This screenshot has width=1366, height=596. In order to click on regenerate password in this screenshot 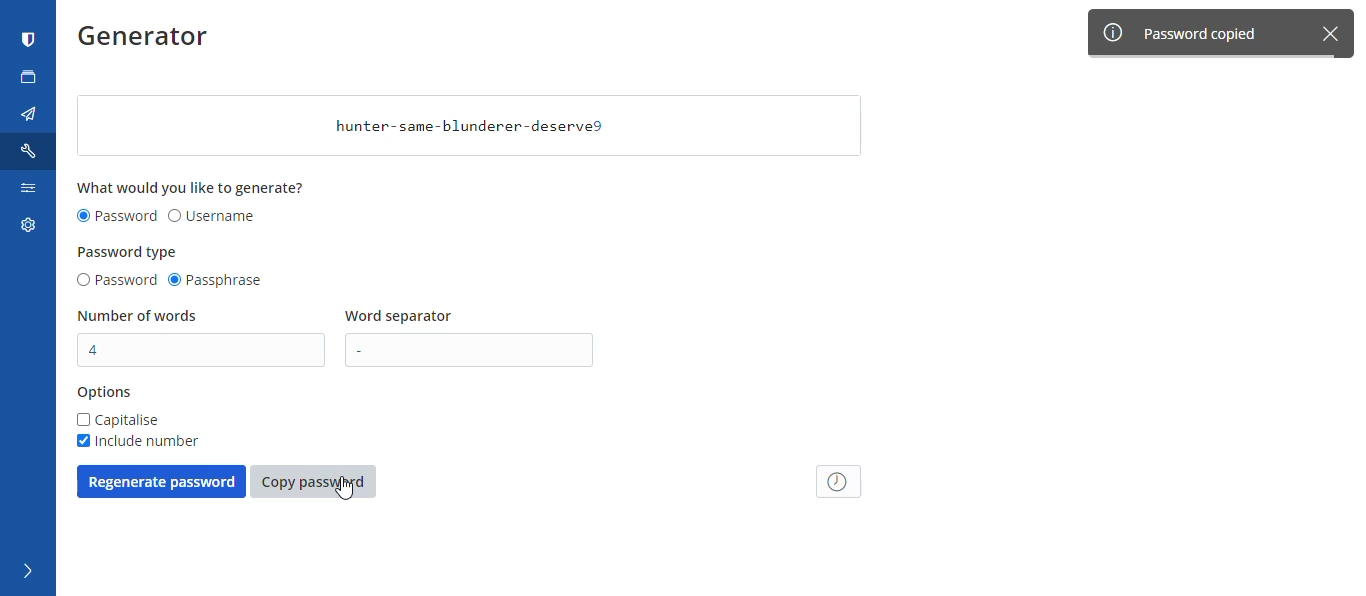, I will do `click(161, 481)`.